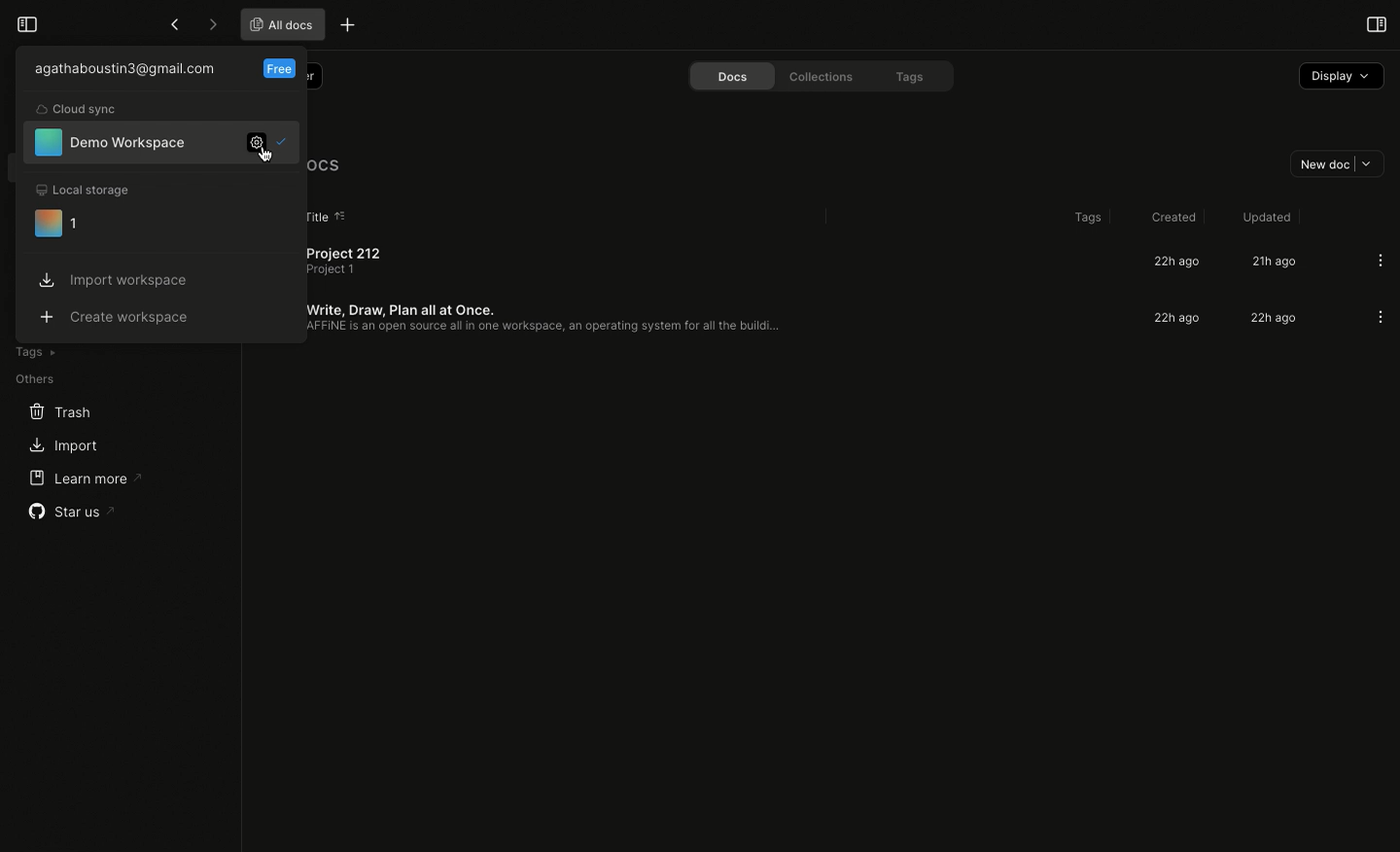 This screenshot has height=852, width=1400. I want to click on Collections, so click(822, 77).